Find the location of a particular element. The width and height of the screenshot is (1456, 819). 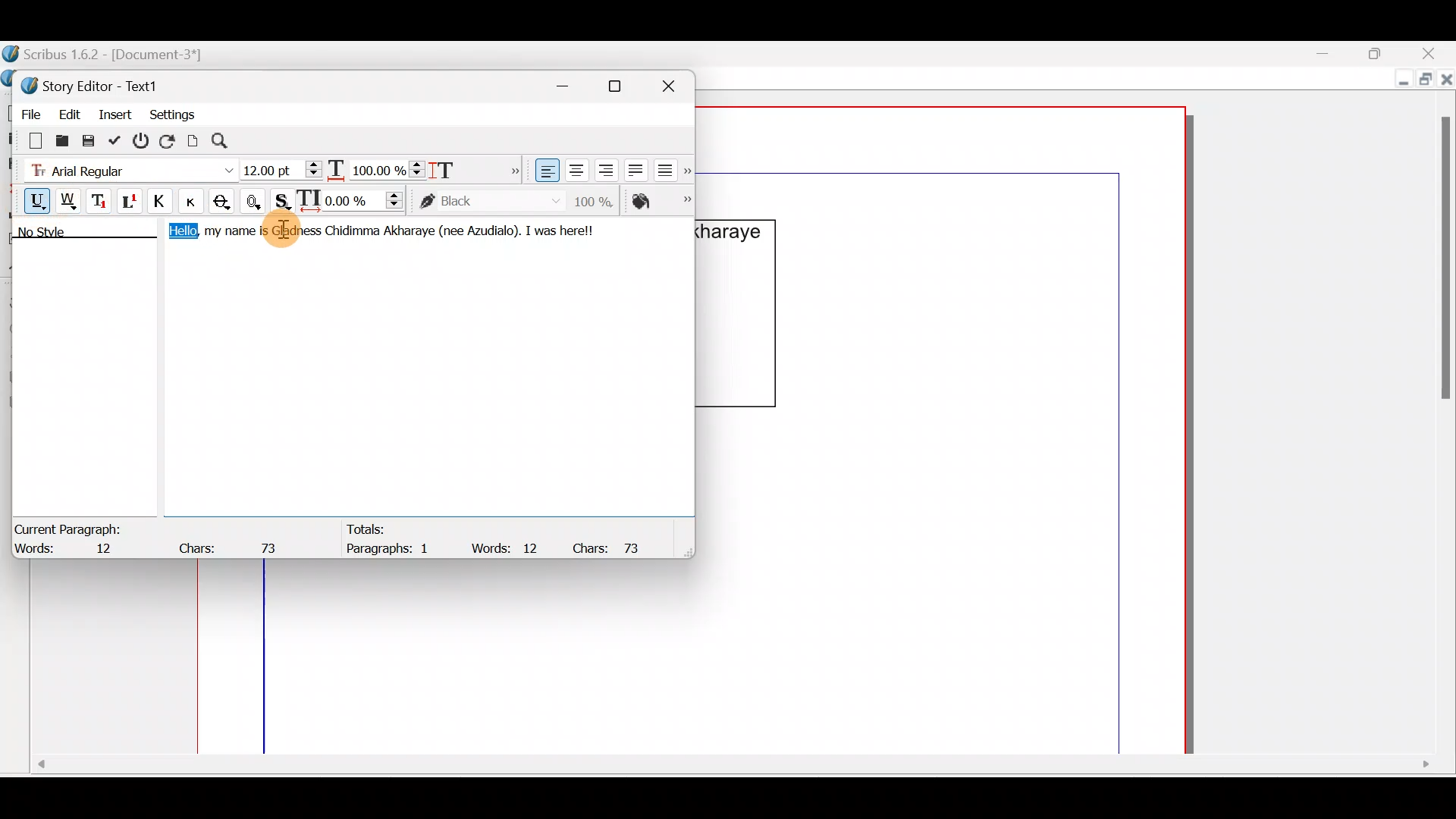

Maximize is located at coordinates (624, 86).